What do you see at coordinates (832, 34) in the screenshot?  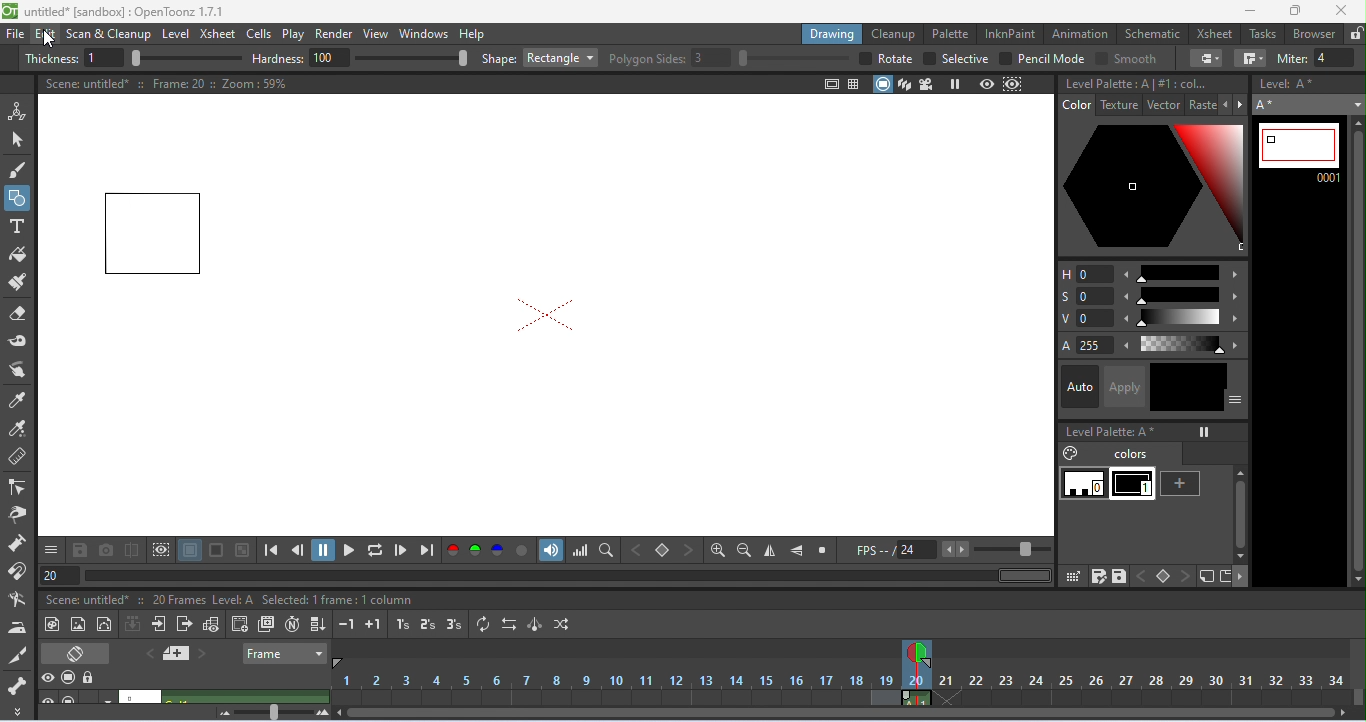 I see `drawing` at bounding box center [832, 34].